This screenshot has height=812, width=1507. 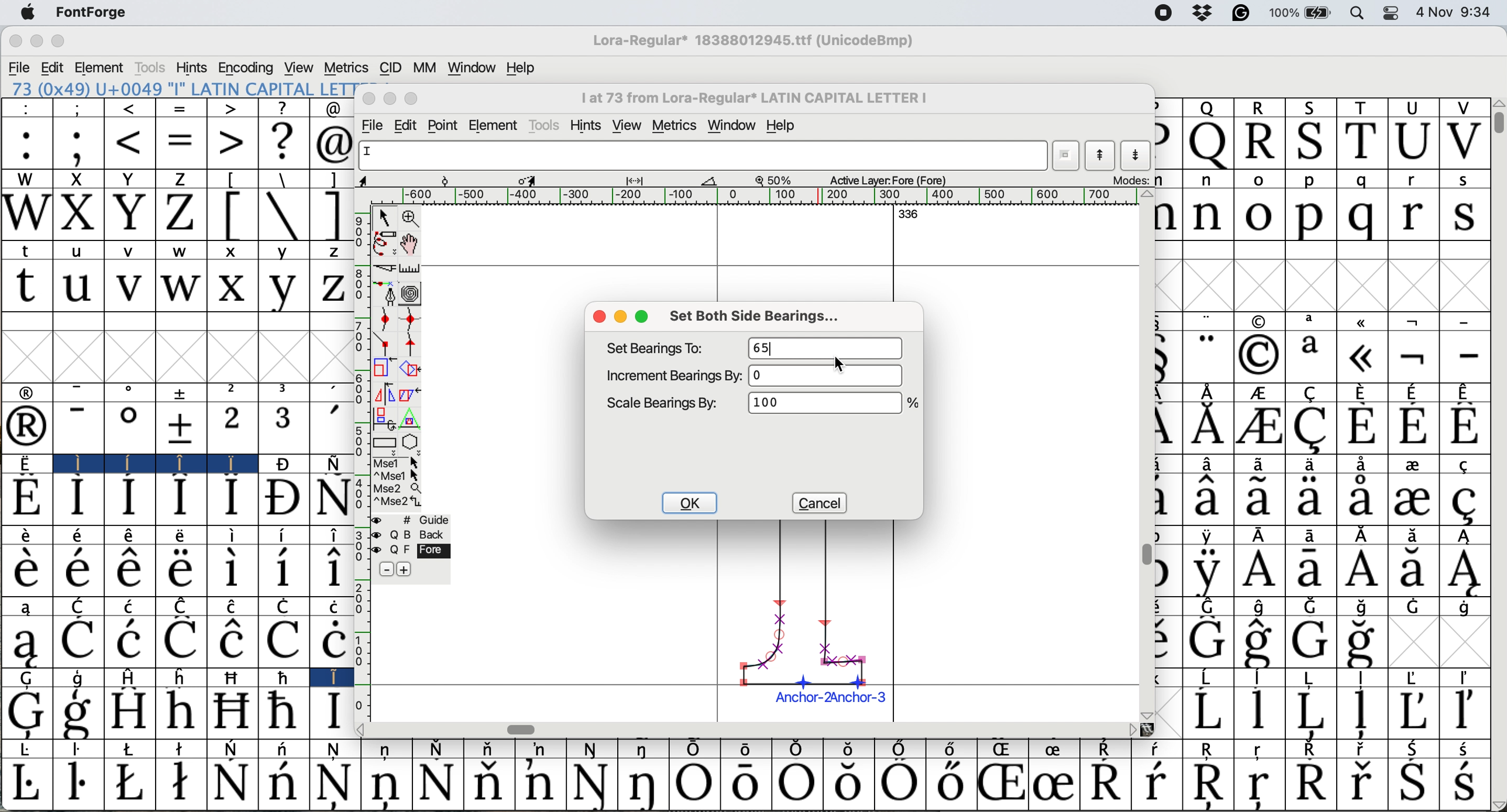 I want to click on Symbol, so click(x=27, y=428).